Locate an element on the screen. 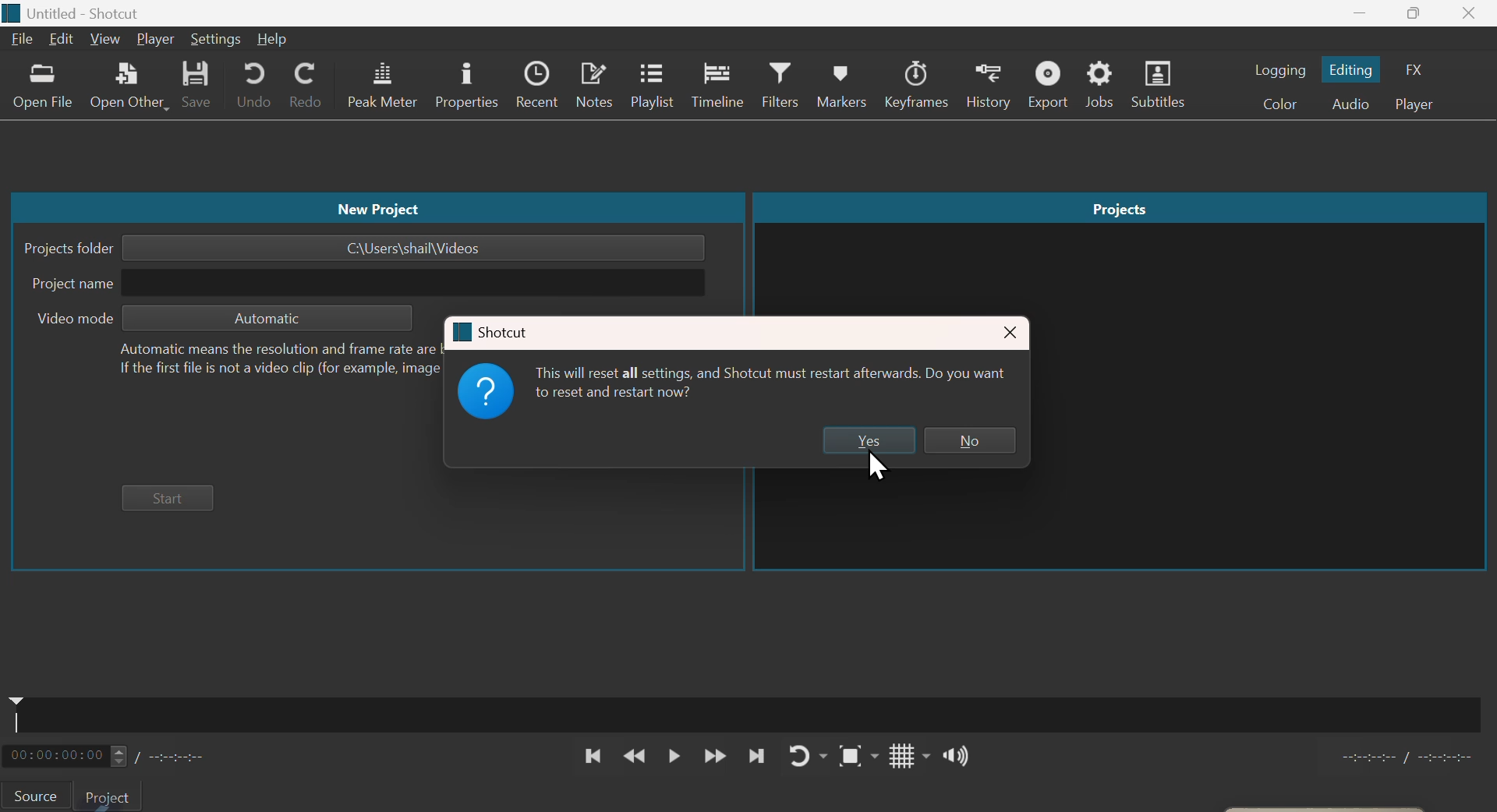 The height and width of the screenshot is (812, 1497). Player is located at coordinates (156, 39).